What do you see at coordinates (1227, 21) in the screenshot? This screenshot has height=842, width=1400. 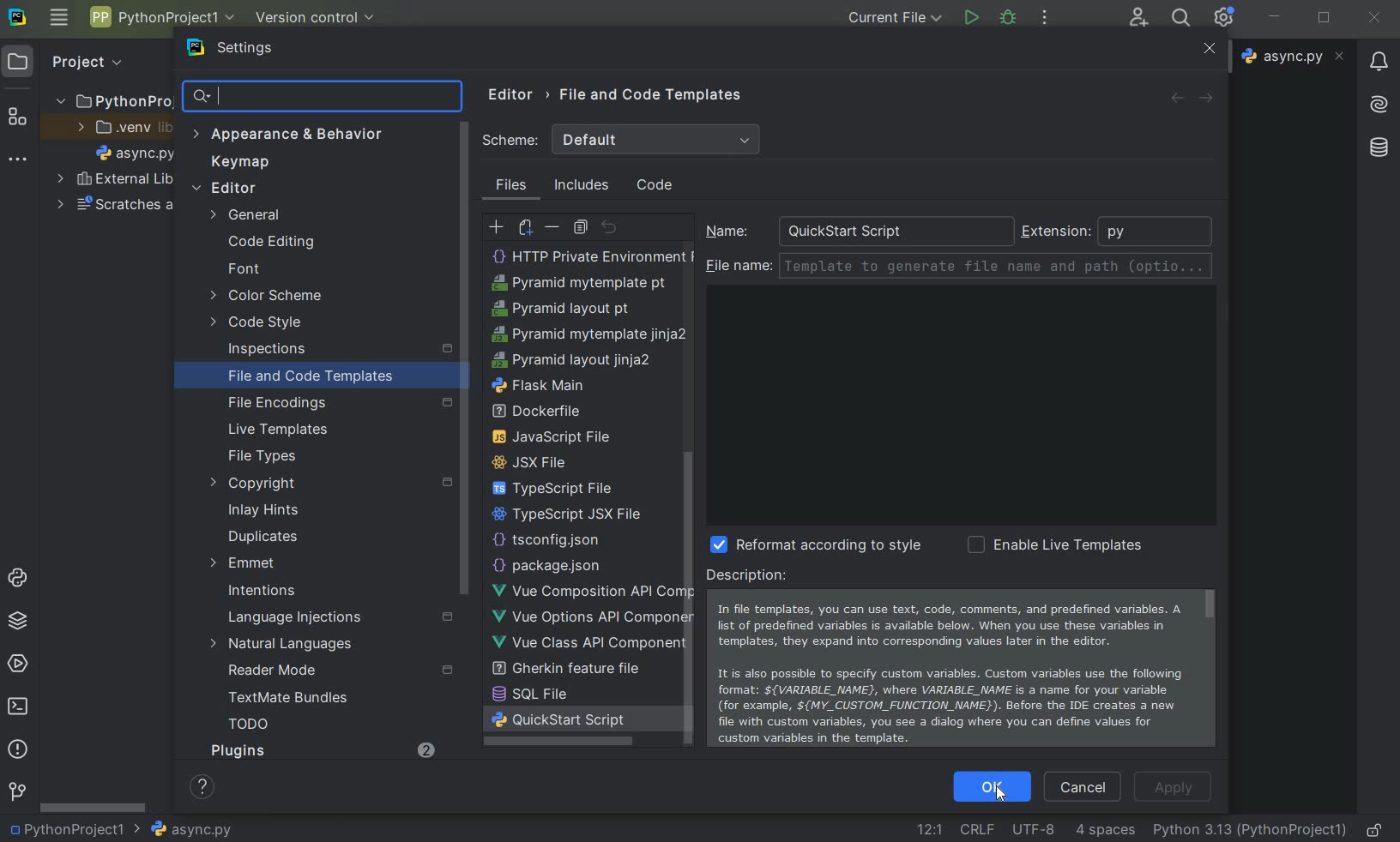 I see `Ide and Project Settings` at bounding box center [1227, 21].